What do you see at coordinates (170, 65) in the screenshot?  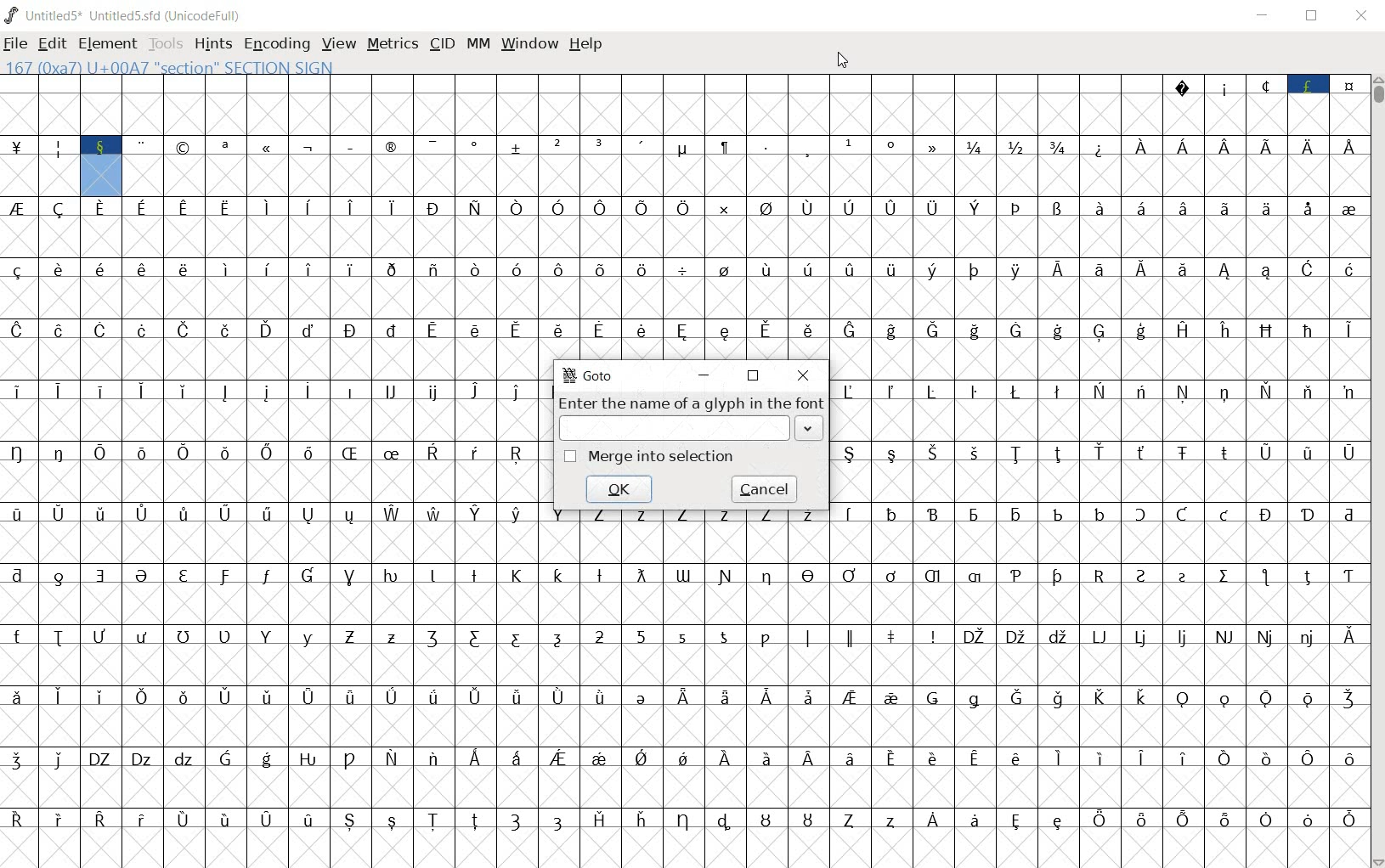 I see `(0Xa7) U+00A7 "SECTION" SECTION SIGN` at bounding box center [170, 65].